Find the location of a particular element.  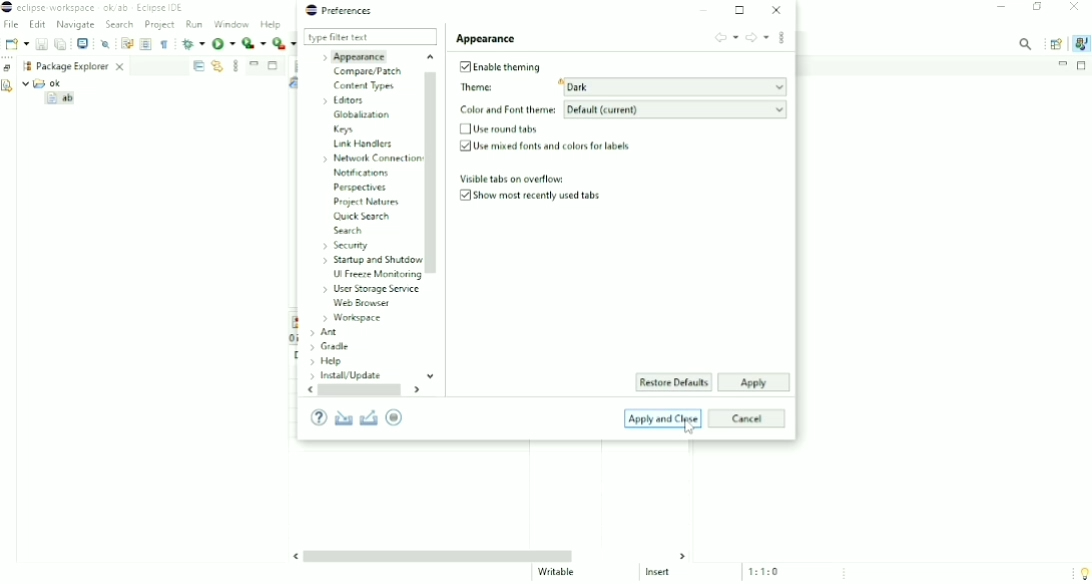

Workspace is located at coordinates (352, 318).